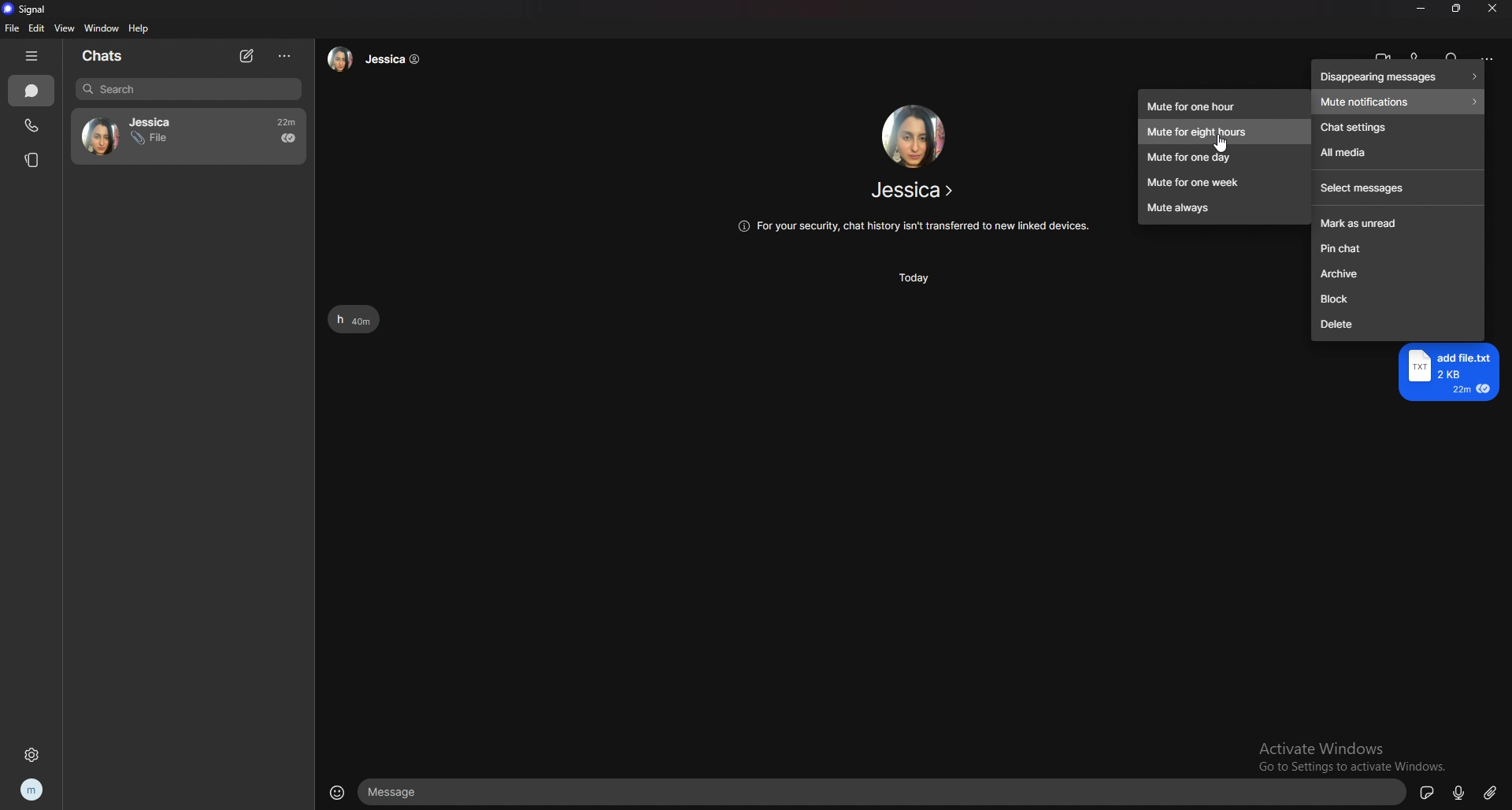 This screenshot has height=810, width=1512. What do you see at coordinates (1421, 9) in the screenshot?
I see `minimize` at bounding box center [1421, 9].